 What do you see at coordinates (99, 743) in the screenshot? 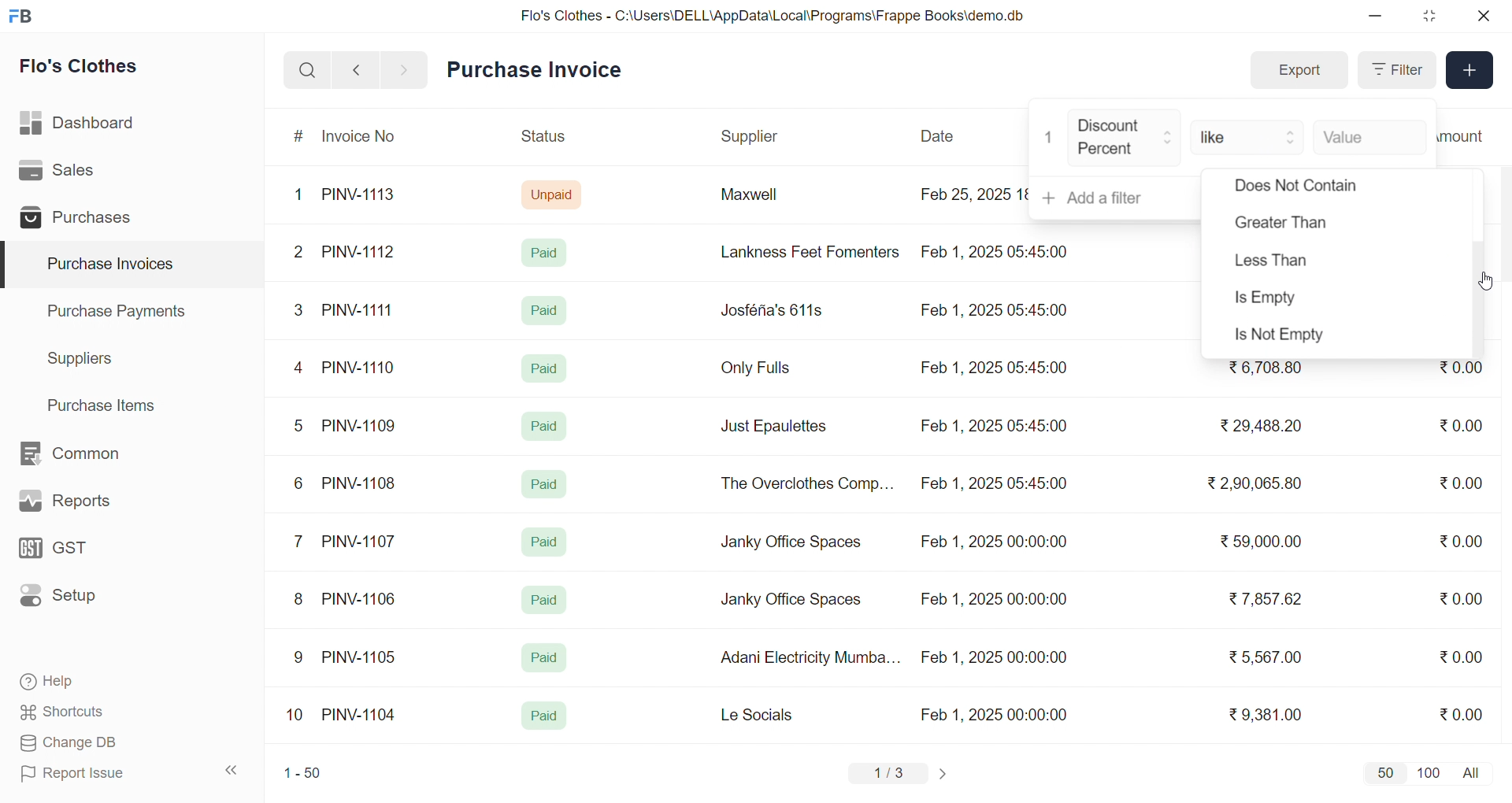
I see `Change DB` at bounding box center [99, 743].